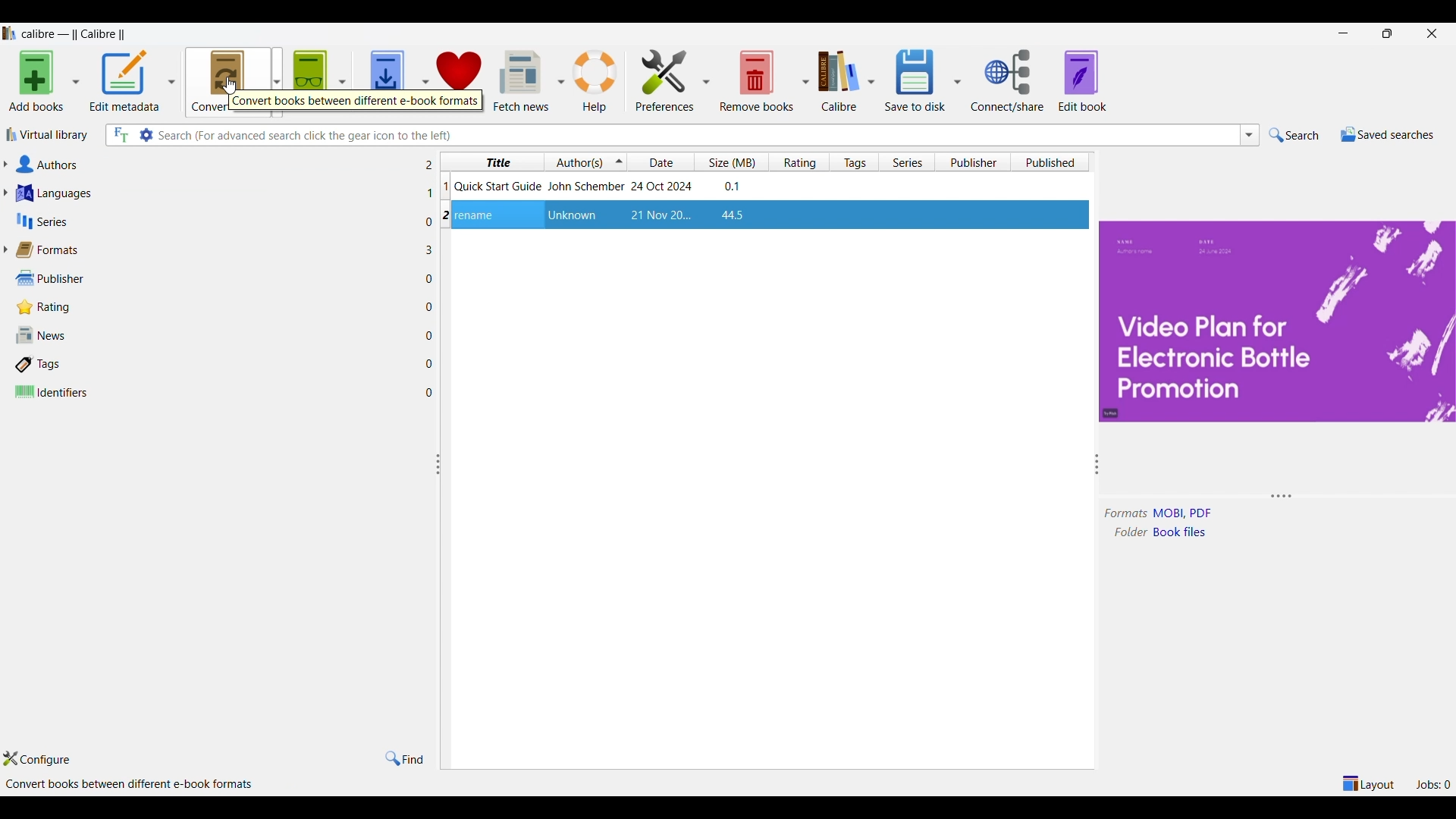 The height and width of the screenshot is (819, 1456). I want to click on Identifiers, so click(215, 391).